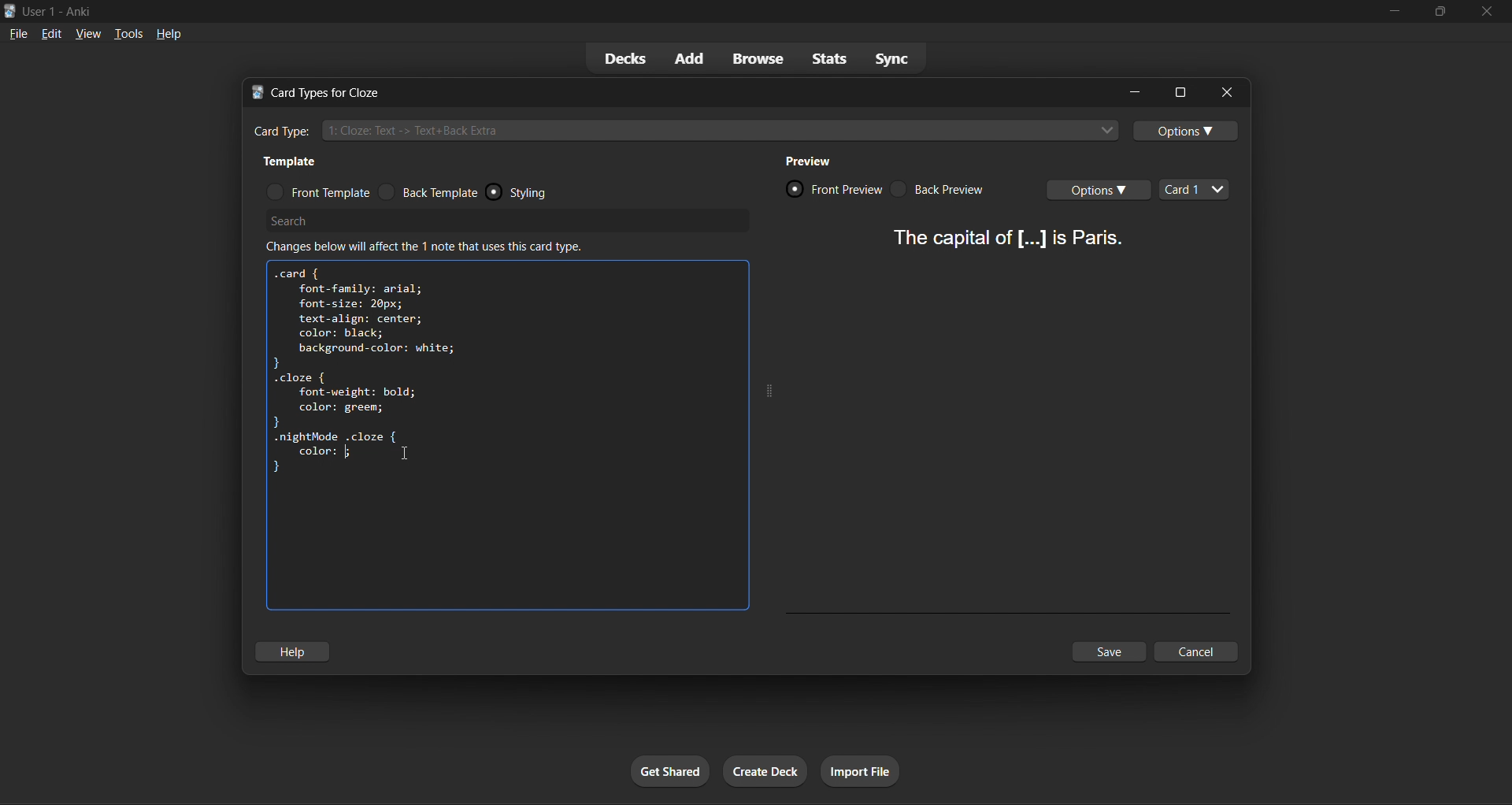 Image resolution: width=1512 pixels, height=805 pixels. Describe the element at coordinates (672, 88) in the screenshot. I see `title bar` at that location.